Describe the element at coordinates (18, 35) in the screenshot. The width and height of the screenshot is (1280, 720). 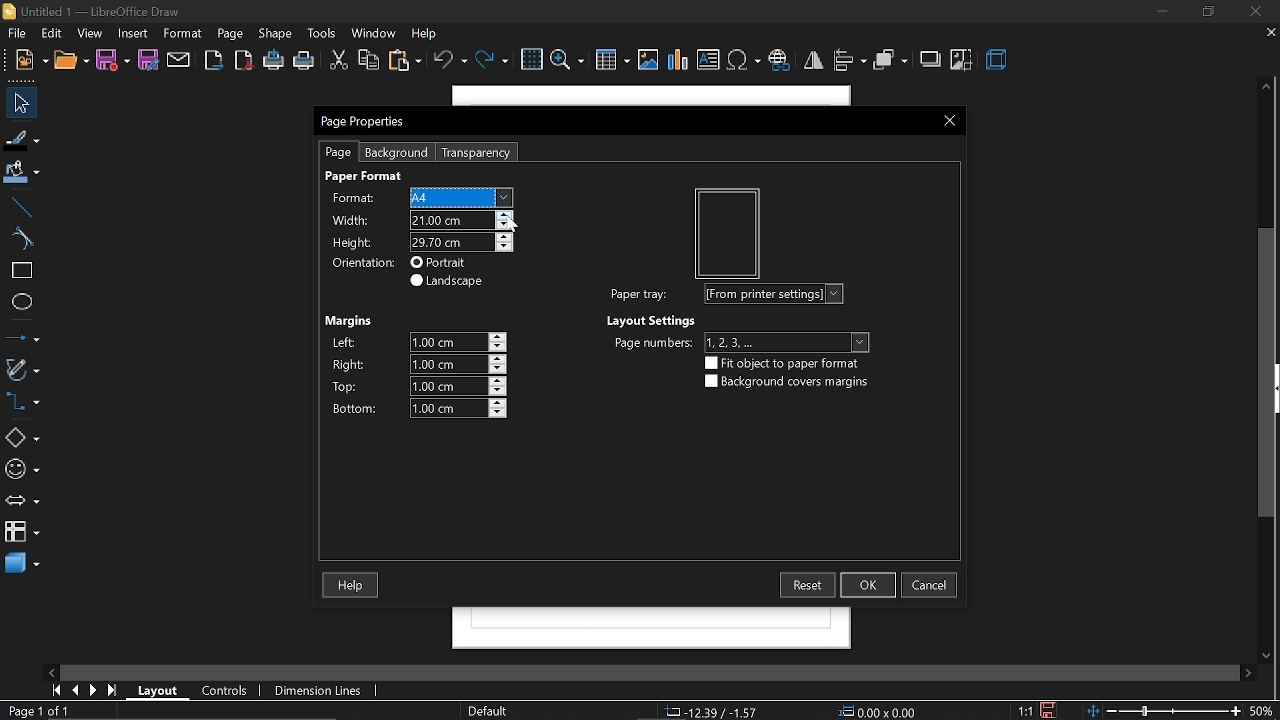
I see `file` at that location.